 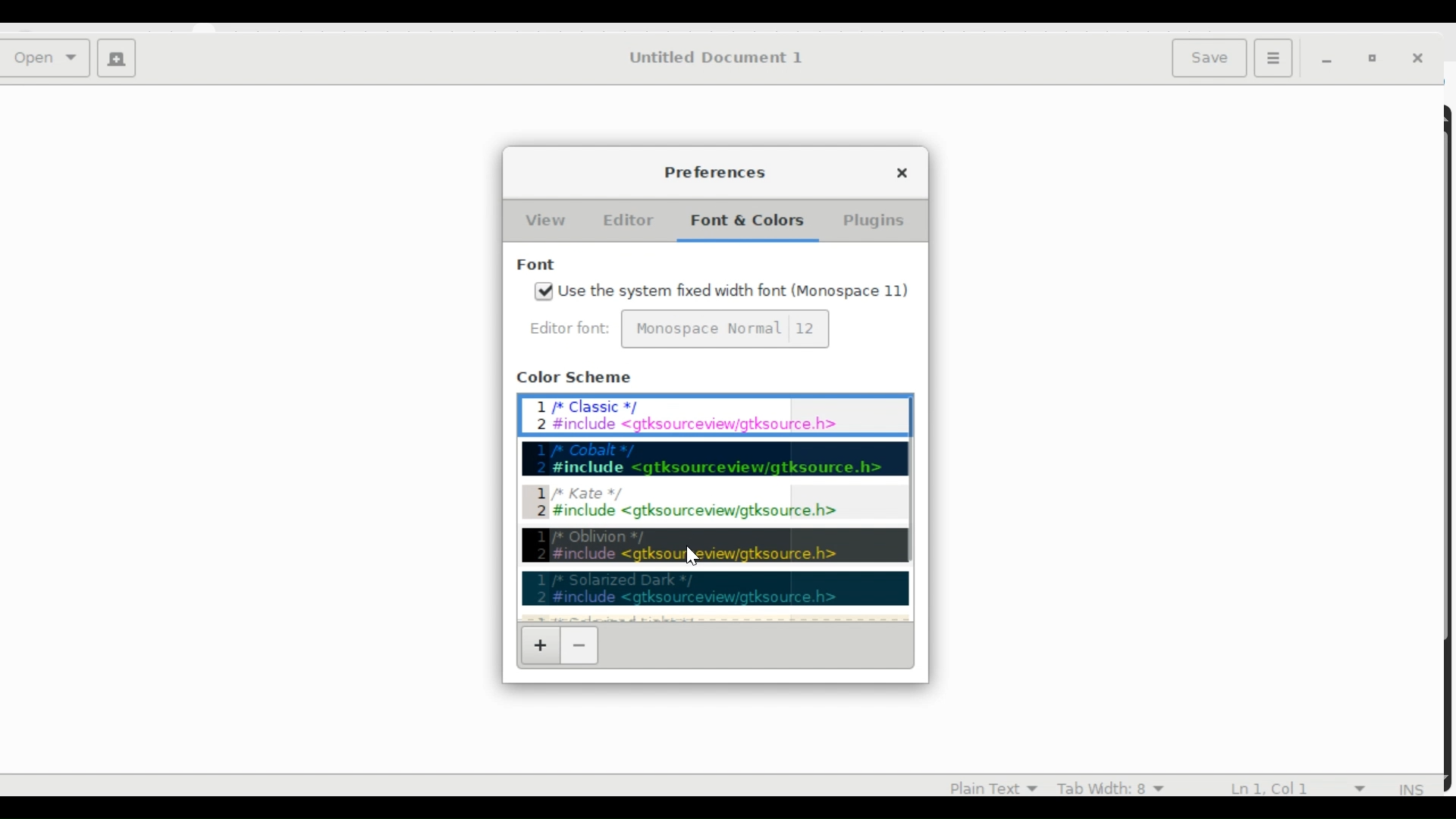 I want to click on INS, so click(x=1413, y=789).